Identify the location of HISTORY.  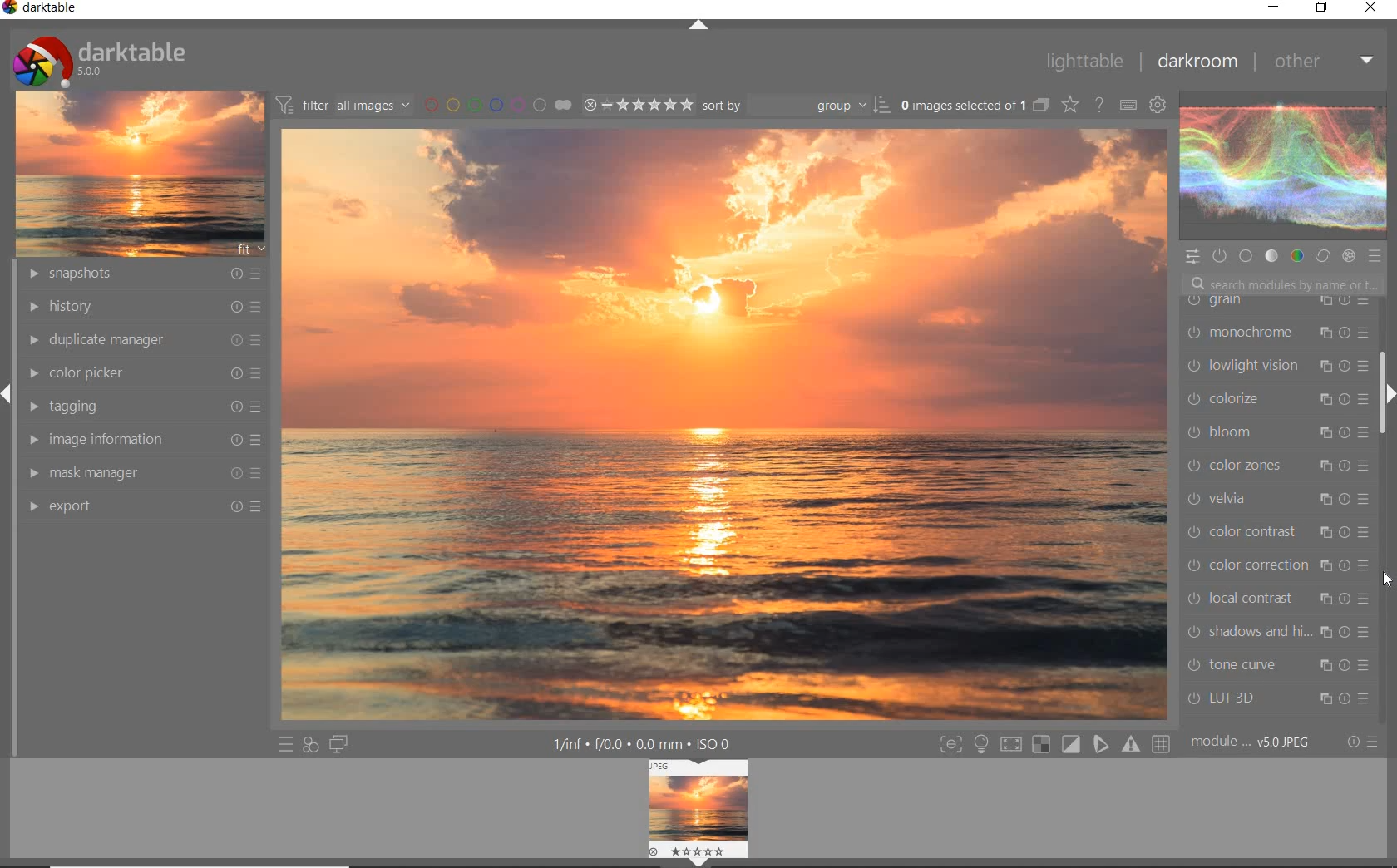
(143, 307).